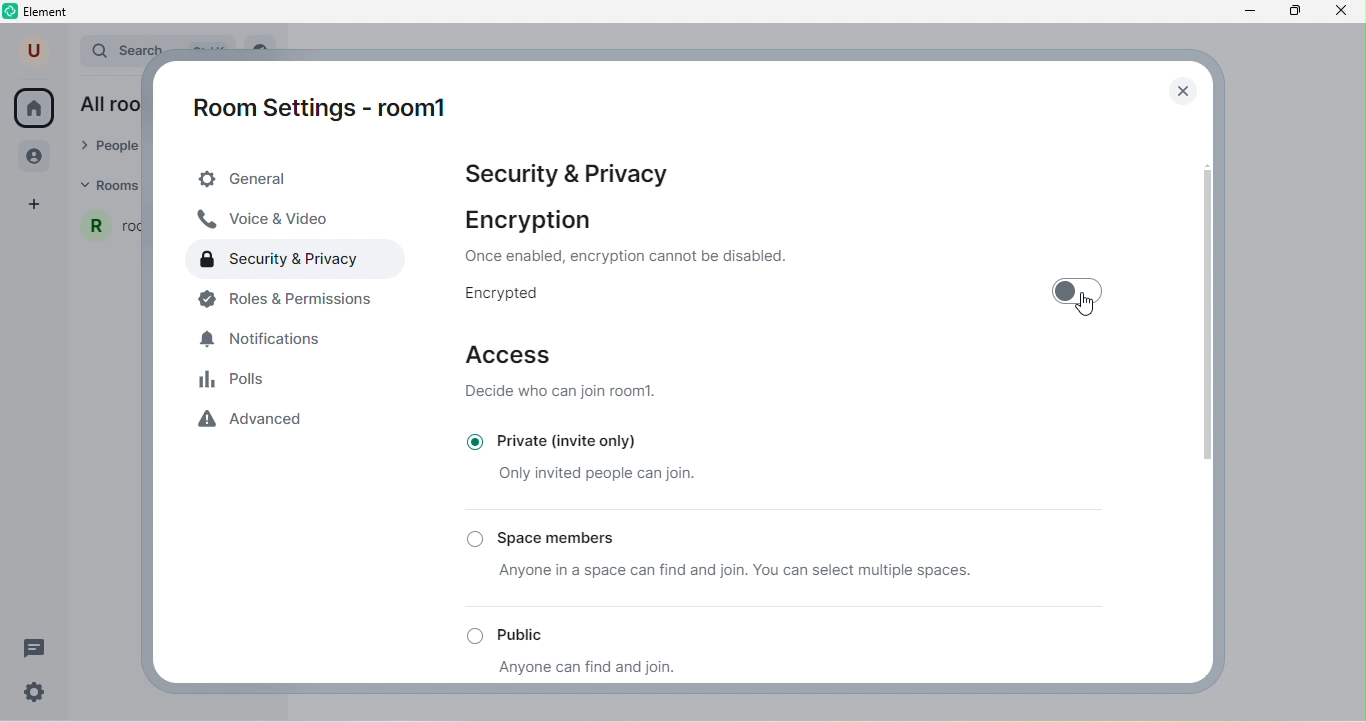  What do you see at coordinates (272, 340) in the screenshot?
I see `notifications` at bounding box center [272, 340].